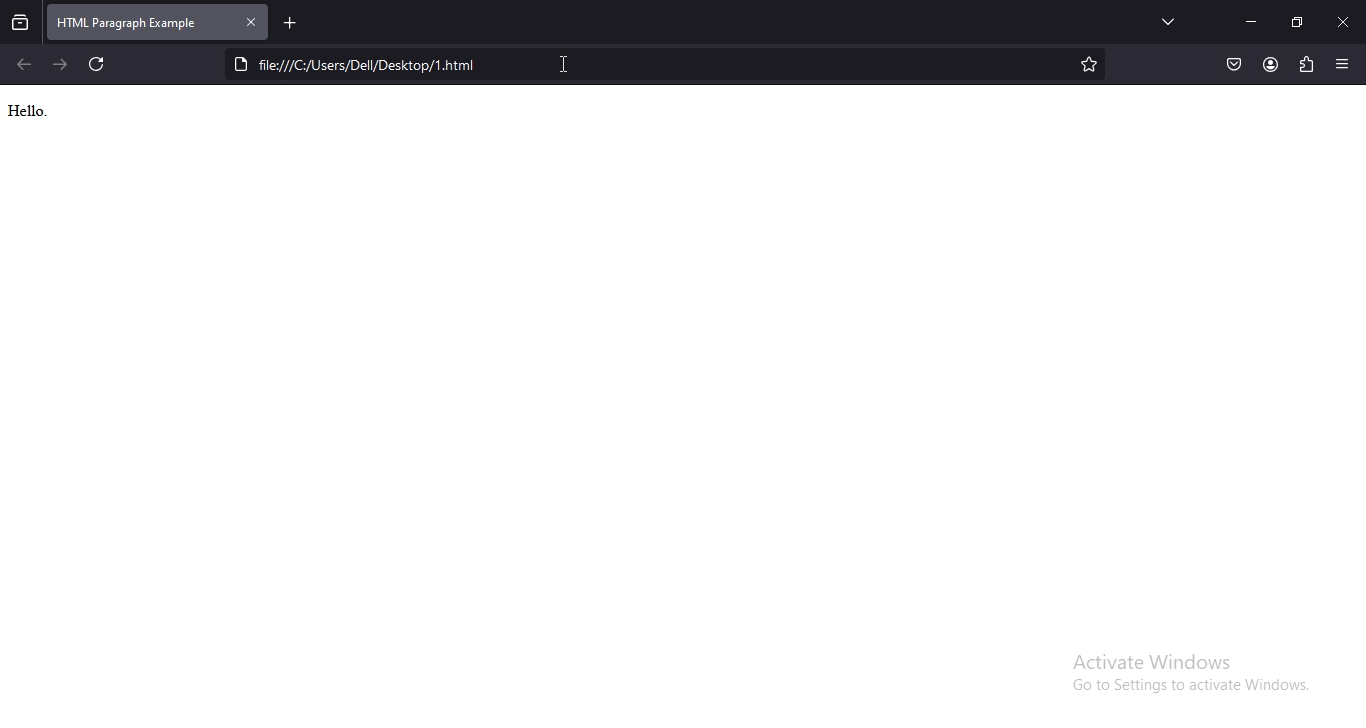 This screenshot has width=1366, height=728. Describe the element at coordinates (140, 22) in the screenshot. I see `html paragraph example` at that location.